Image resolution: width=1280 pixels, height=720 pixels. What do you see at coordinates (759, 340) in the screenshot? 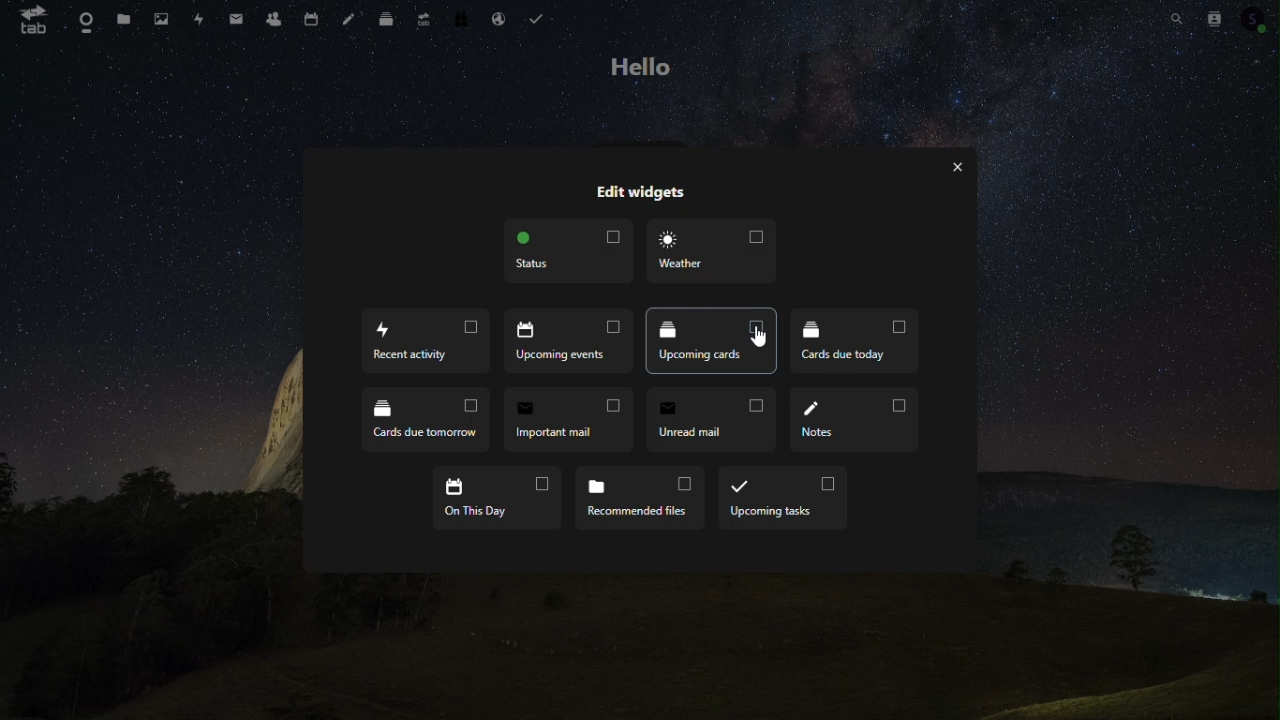
I see `Cursor` at bounding box center [759, 340].